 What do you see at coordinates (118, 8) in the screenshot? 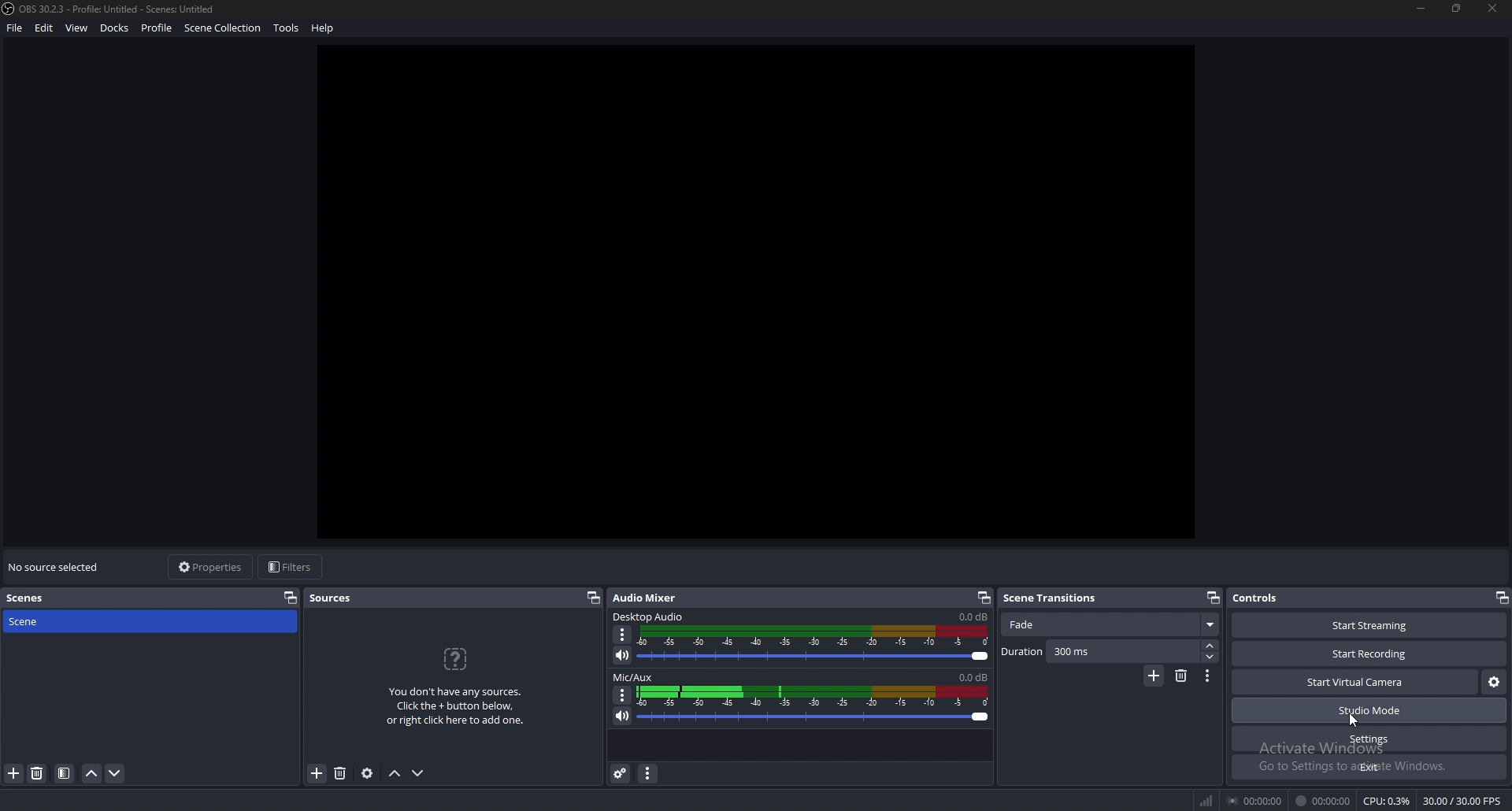
I see `) OBS 30.2.3 - Profile: Untitled - Scenes: Untitled` at bounding box center [118, 8].